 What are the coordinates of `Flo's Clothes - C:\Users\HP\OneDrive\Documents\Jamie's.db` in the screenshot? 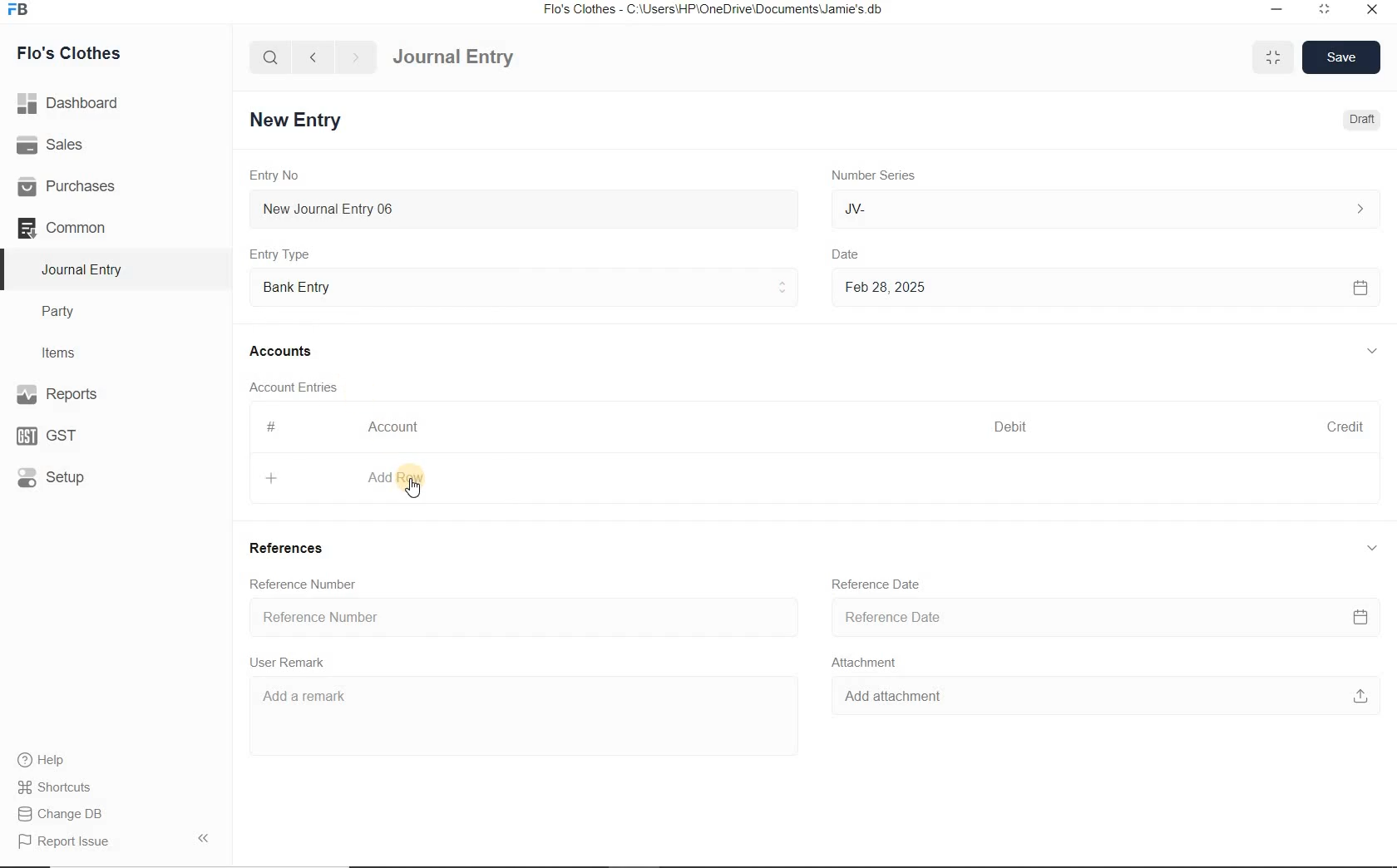 It's located at (714, 12).